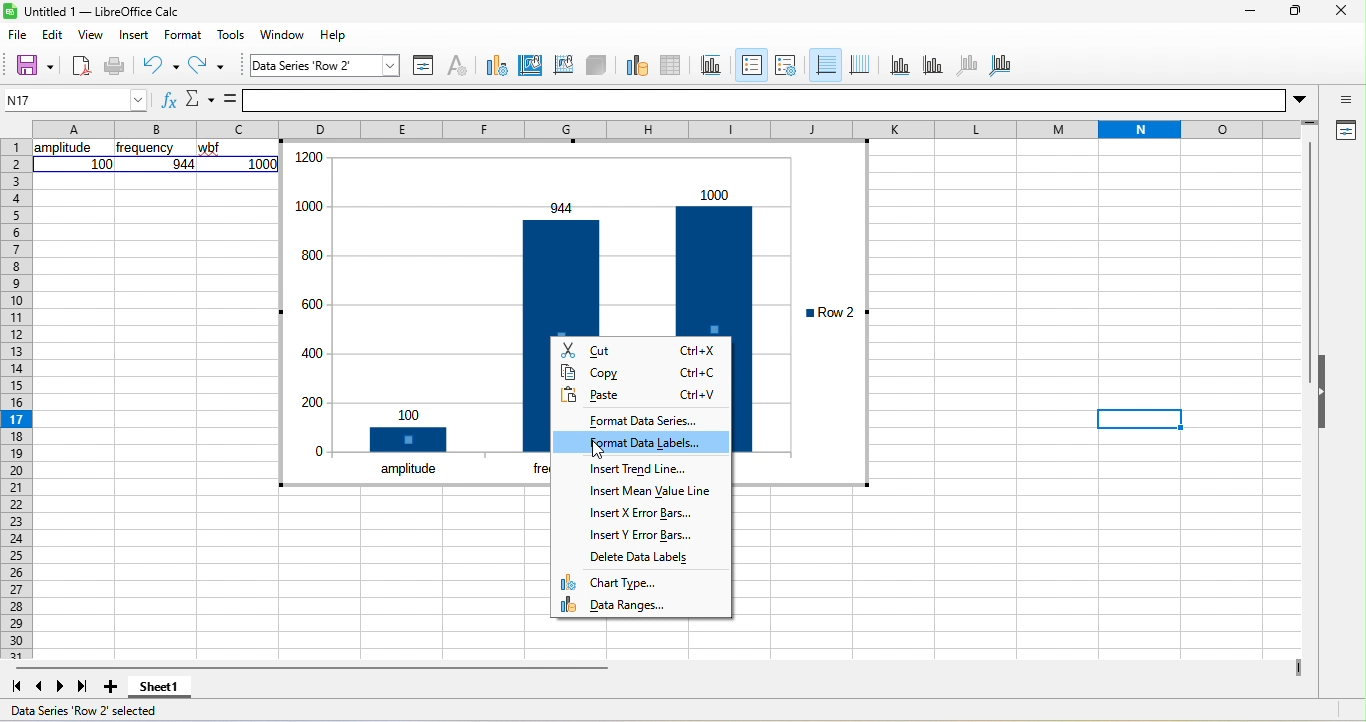  What do you see at coordinates (645, 553) in the screenshot?
I see `delete data labels` at bounding box center [645, 553].